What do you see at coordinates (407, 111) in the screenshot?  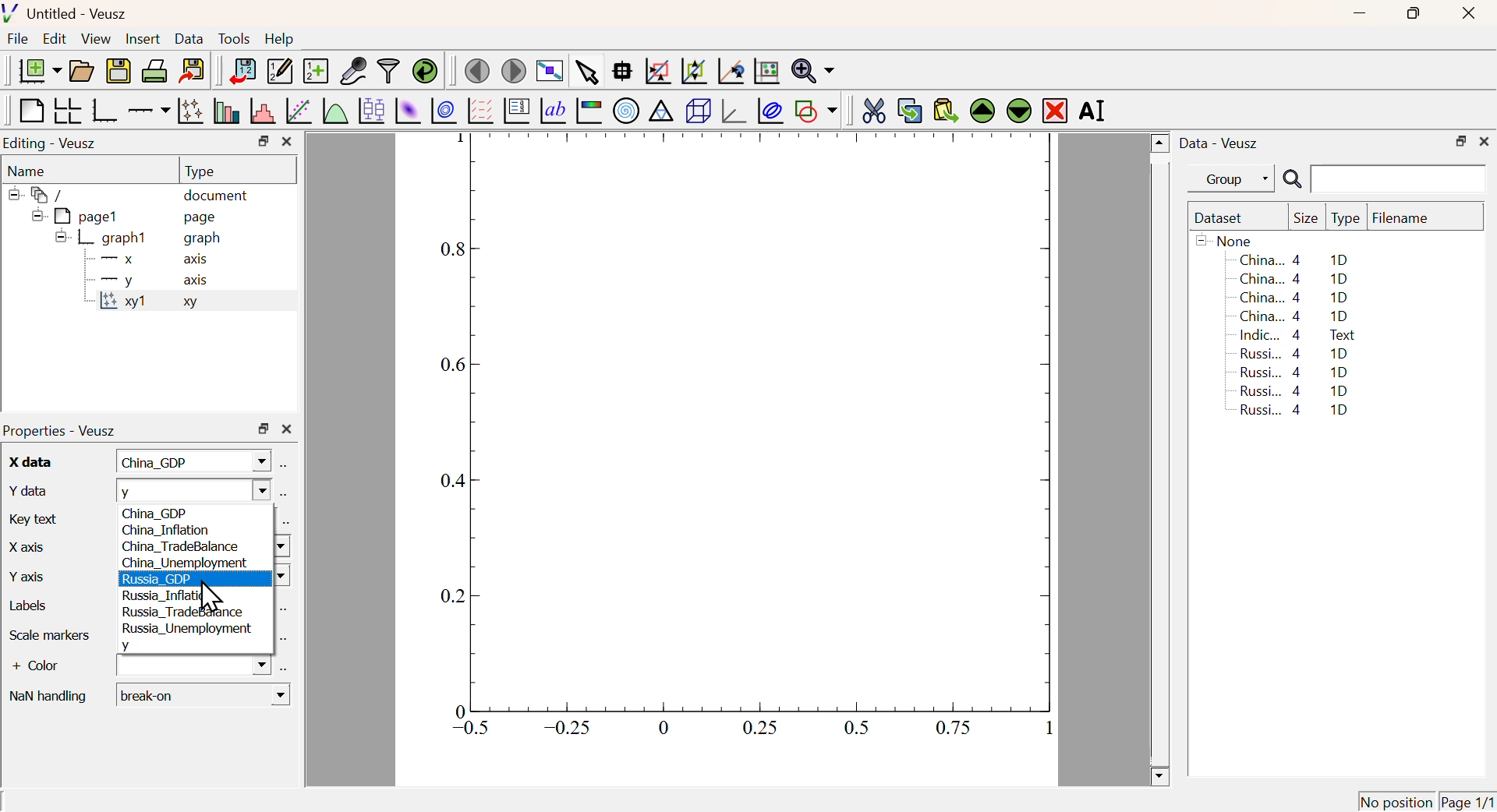 I see `Plot 2D set as image` at bounding box center [407, 111].